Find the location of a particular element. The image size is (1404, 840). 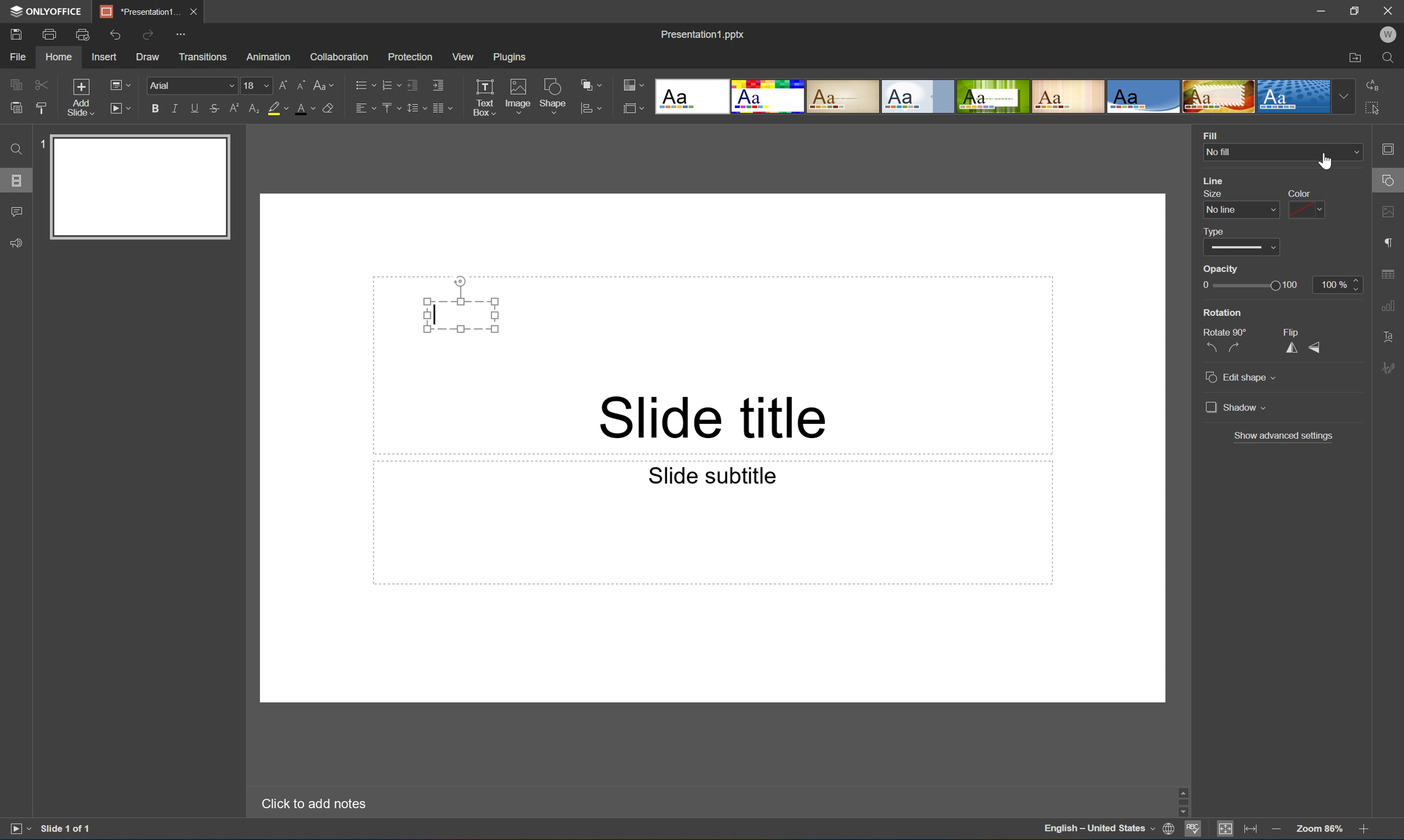

Slide title is located at coordinates (717, 416).